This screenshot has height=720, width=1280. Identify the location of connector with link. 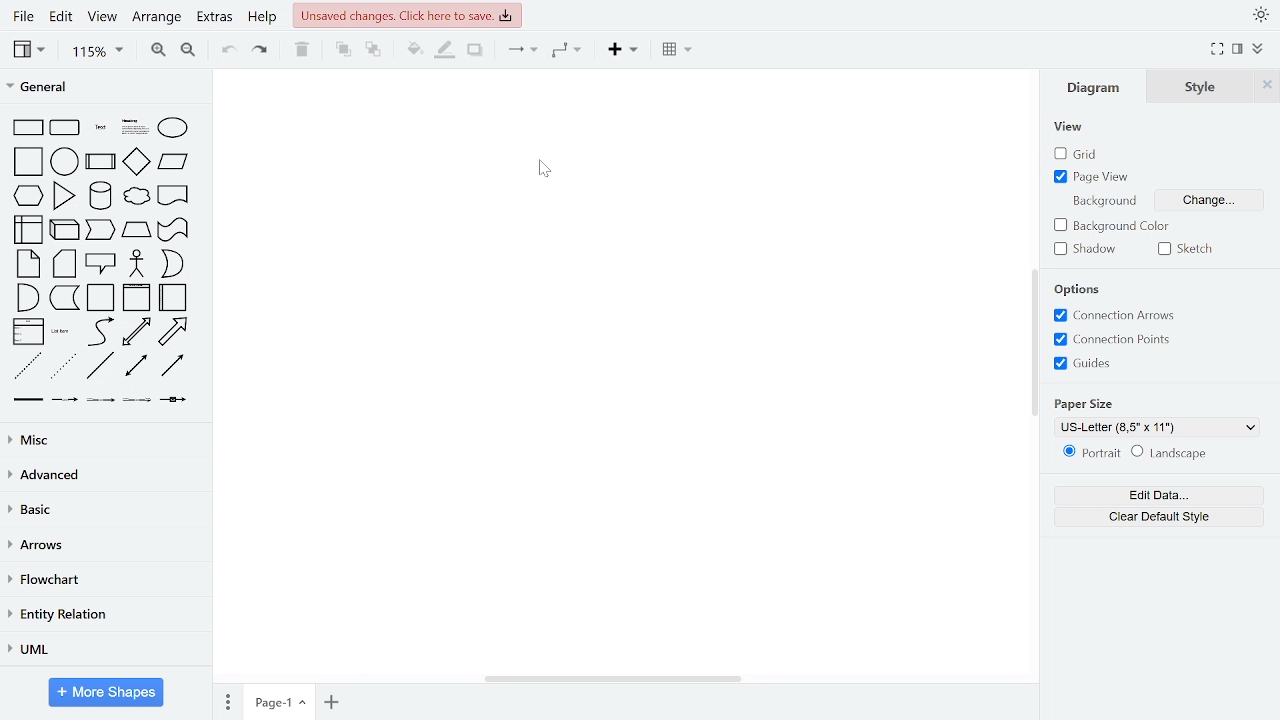
(172, 401).